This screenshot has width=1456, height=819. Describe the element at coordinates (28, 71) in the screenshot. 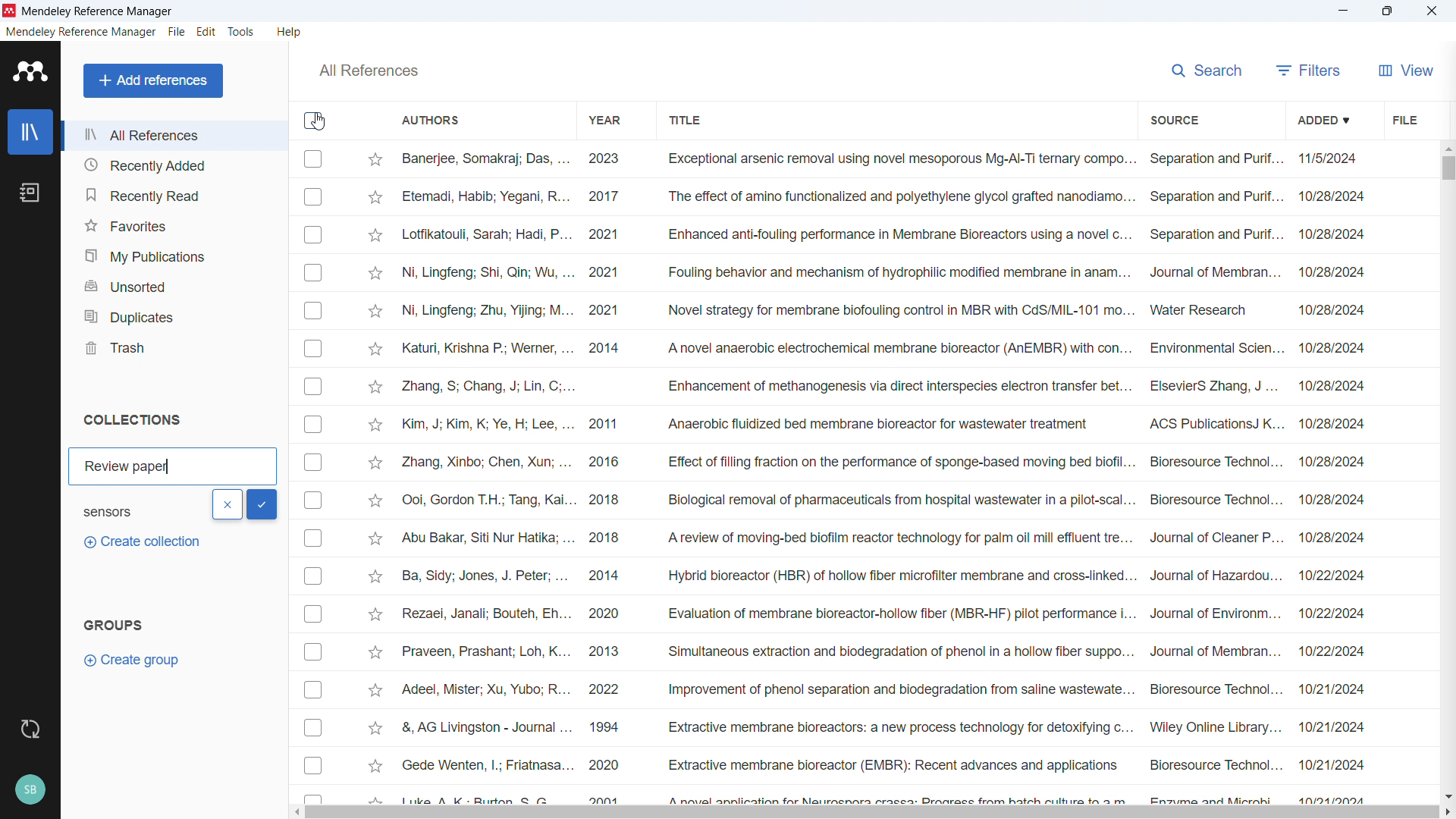

I see `Software Logo ` at that location.